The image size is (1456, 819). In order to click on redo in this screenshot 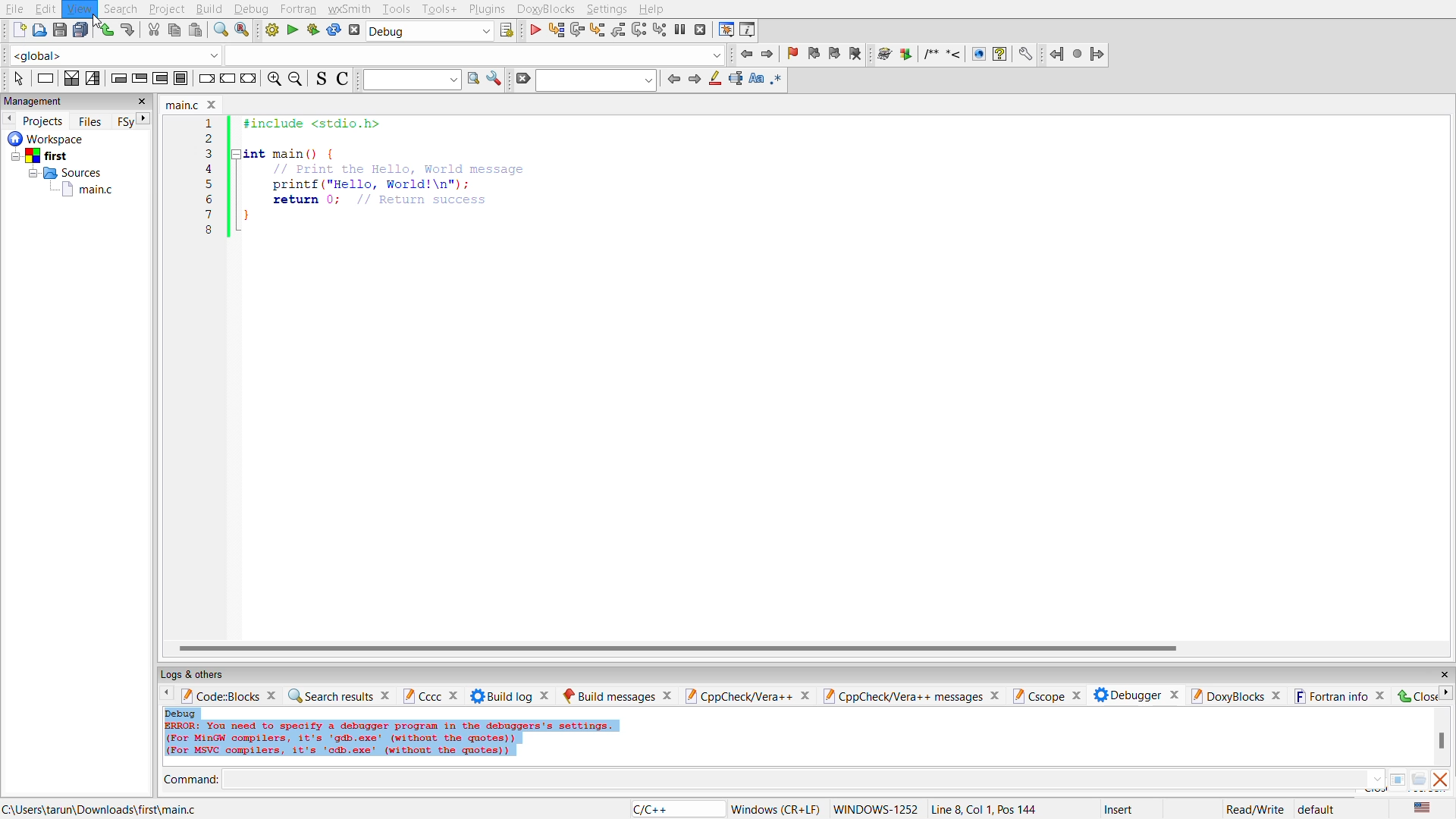, I will do `click(131, 33)`.